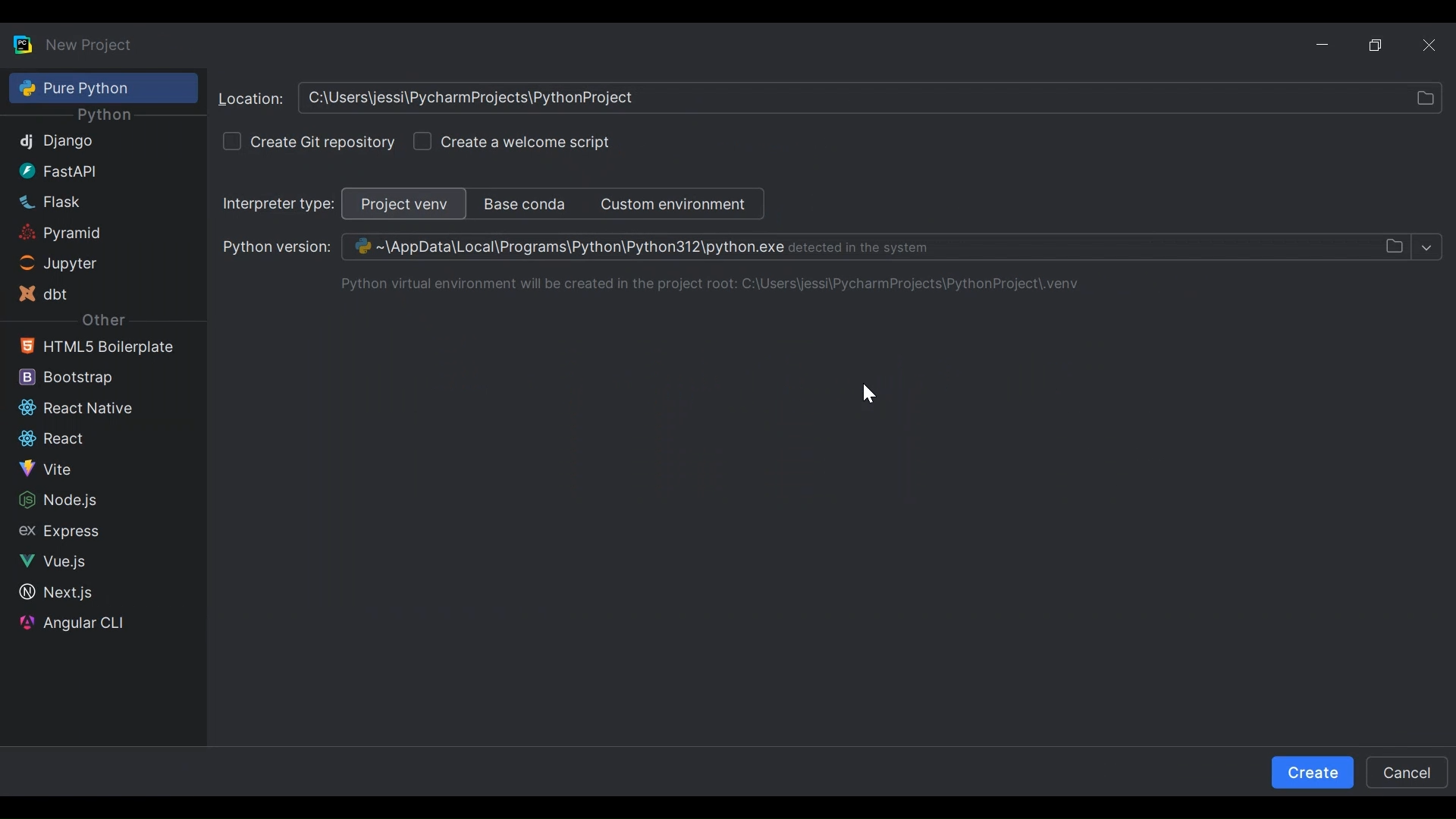 This screenshot has width=1456, height=819. What do you see at coordinates (97, 500) in the screenshot?
I see `Node.js` at bounding box center [97, 500].